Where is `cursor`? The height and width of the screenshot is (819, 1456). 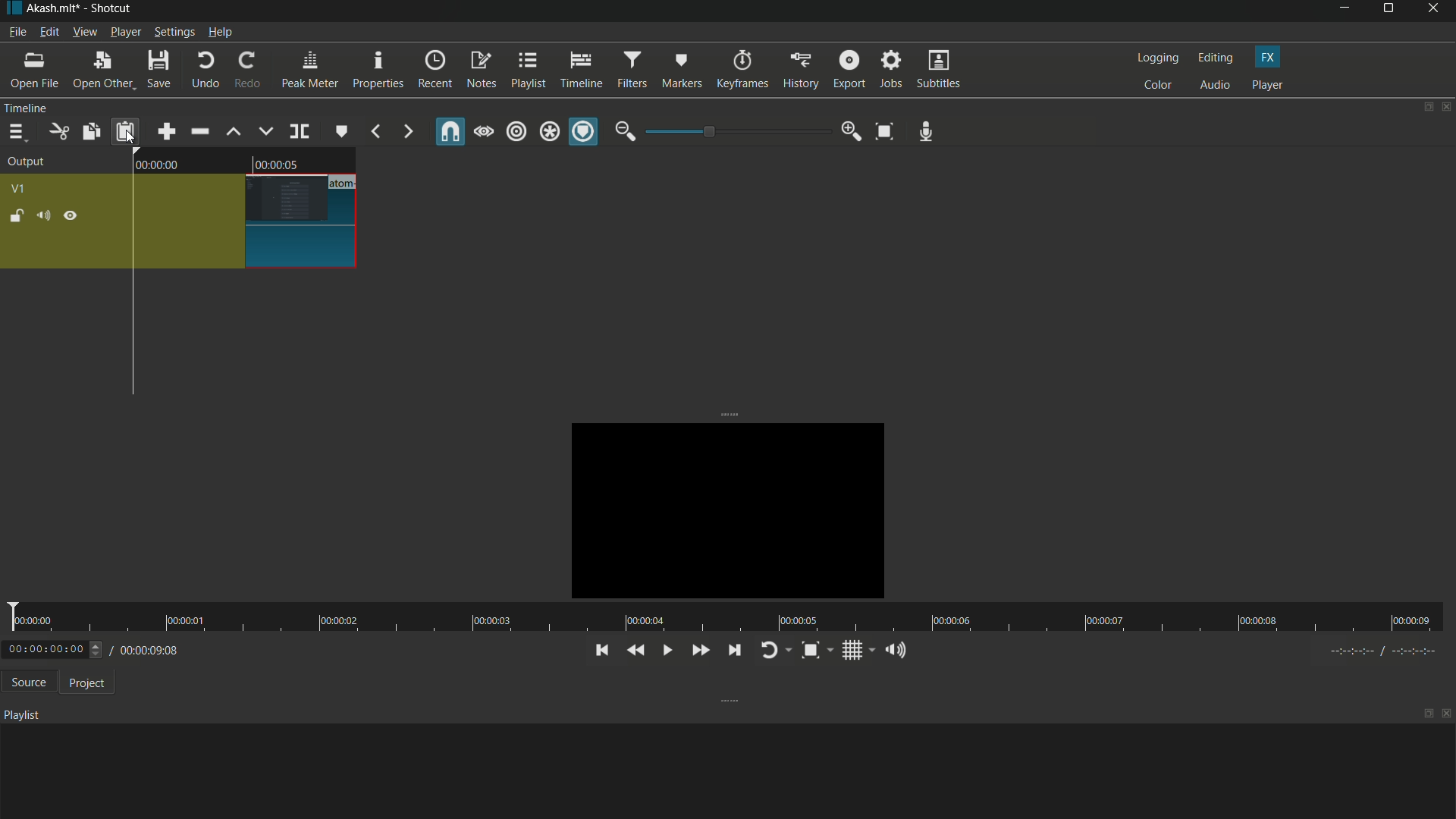 cursor is located at coordinates (130, 137).